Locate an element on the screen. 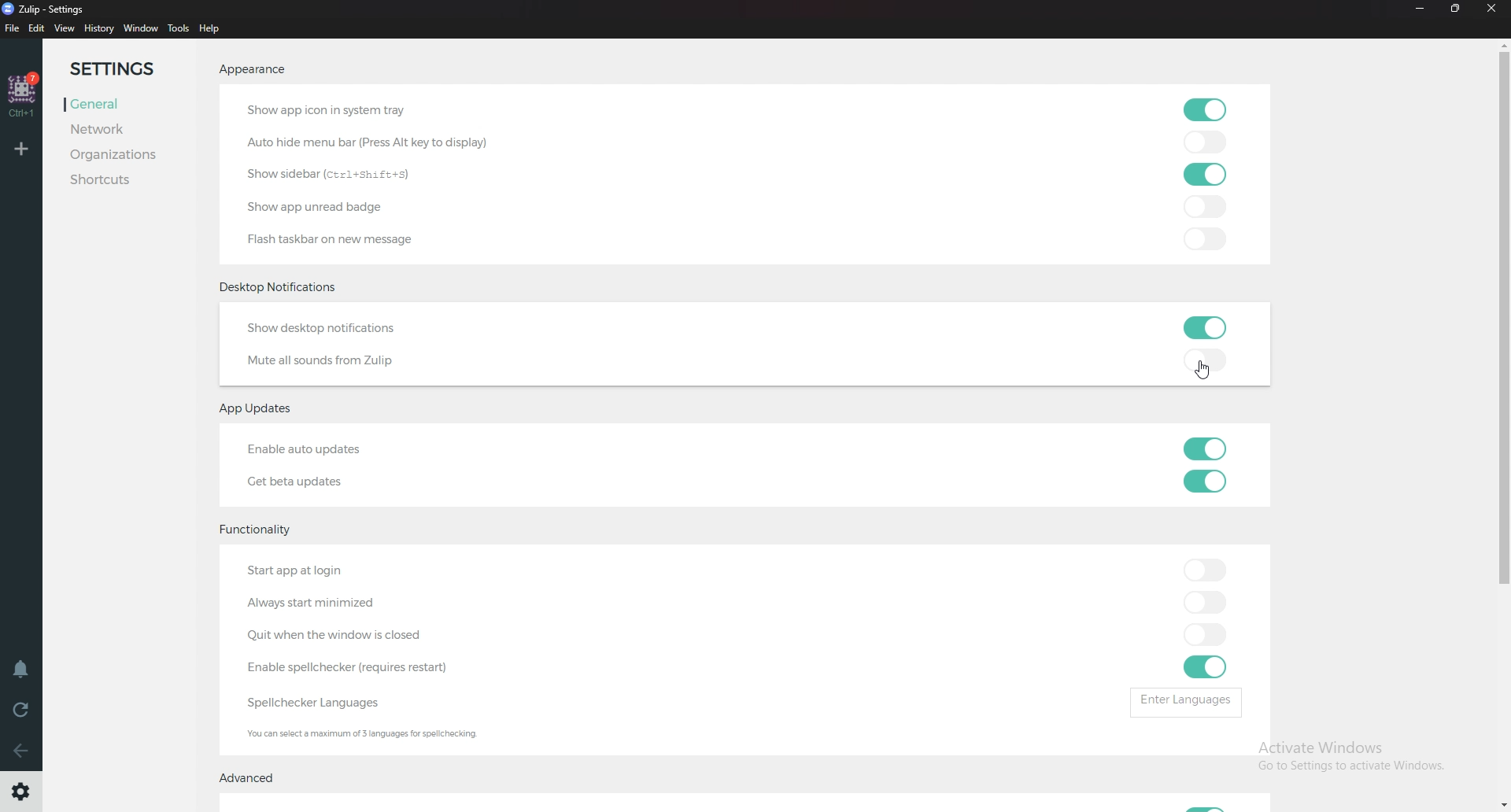 The height and width of the screenshot is (812, 1511). toggle is located at coordinates (1211, 207).